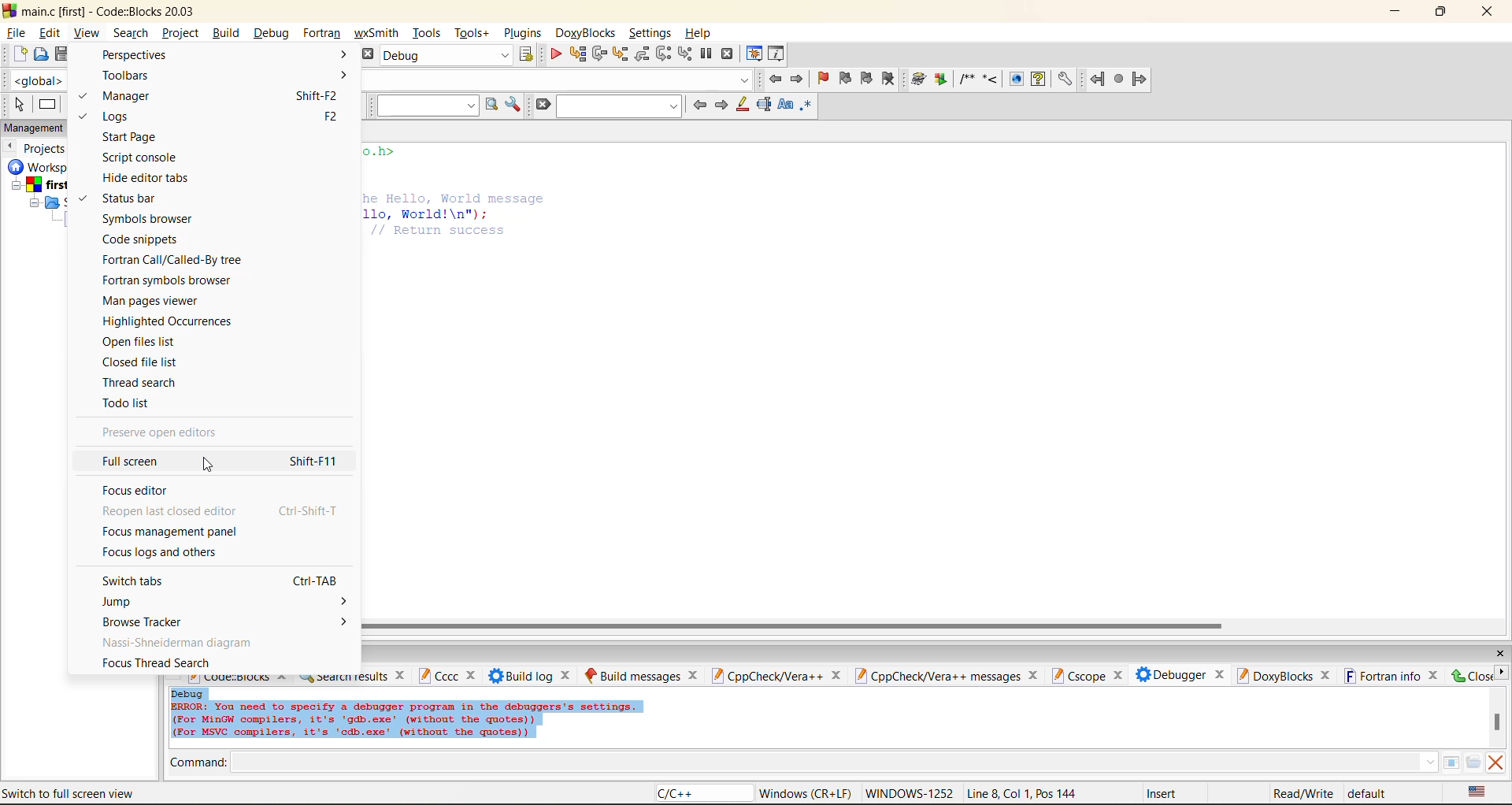 The width and height of the screenshot is (1512, 805). Describe the element at coordinates (687, 55) in the screenshot. I see `step into instruction` at that location.